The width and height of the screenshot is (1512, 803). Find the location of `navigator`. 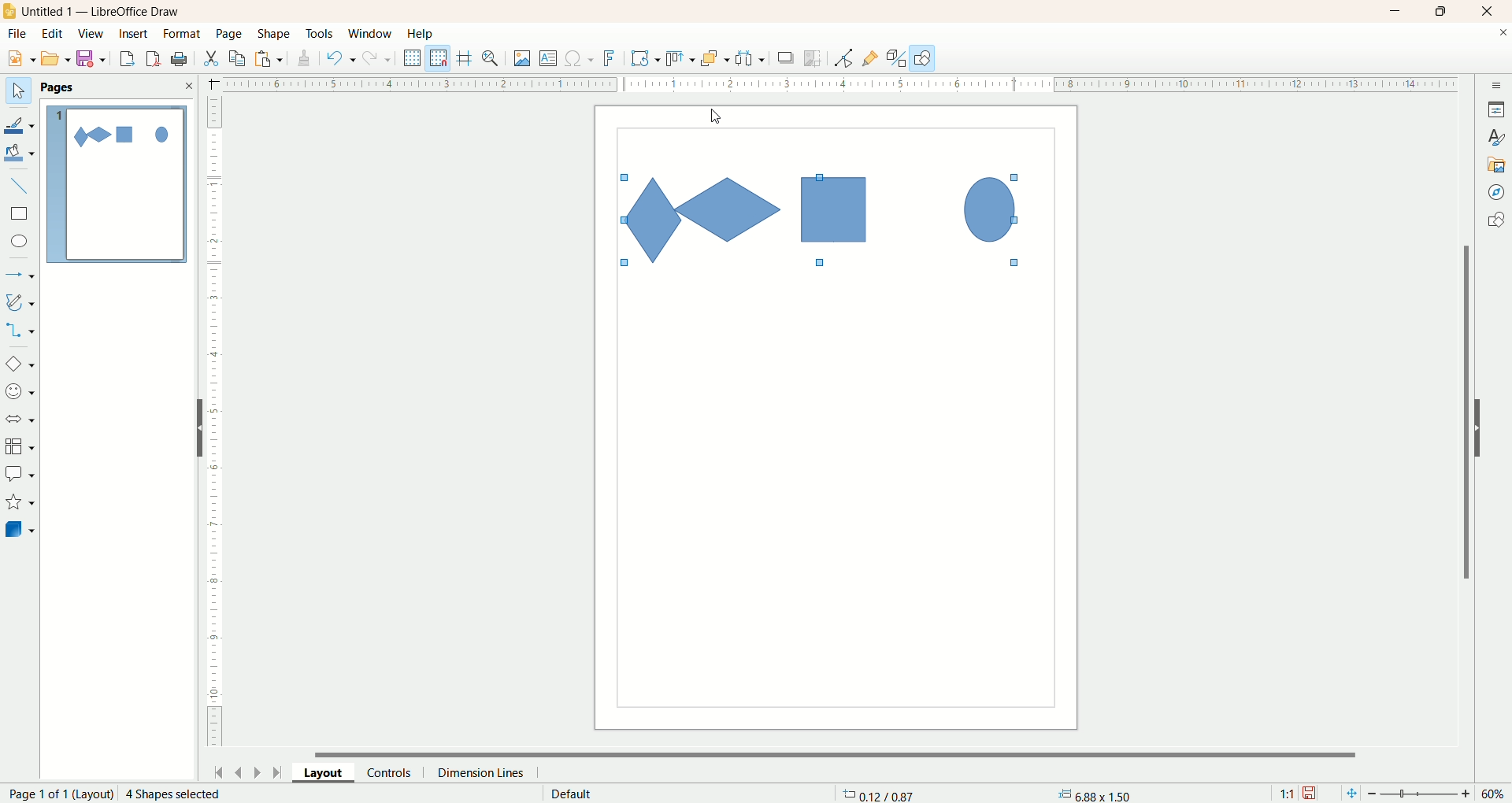

navigator is located at coordinates (1497, 193).